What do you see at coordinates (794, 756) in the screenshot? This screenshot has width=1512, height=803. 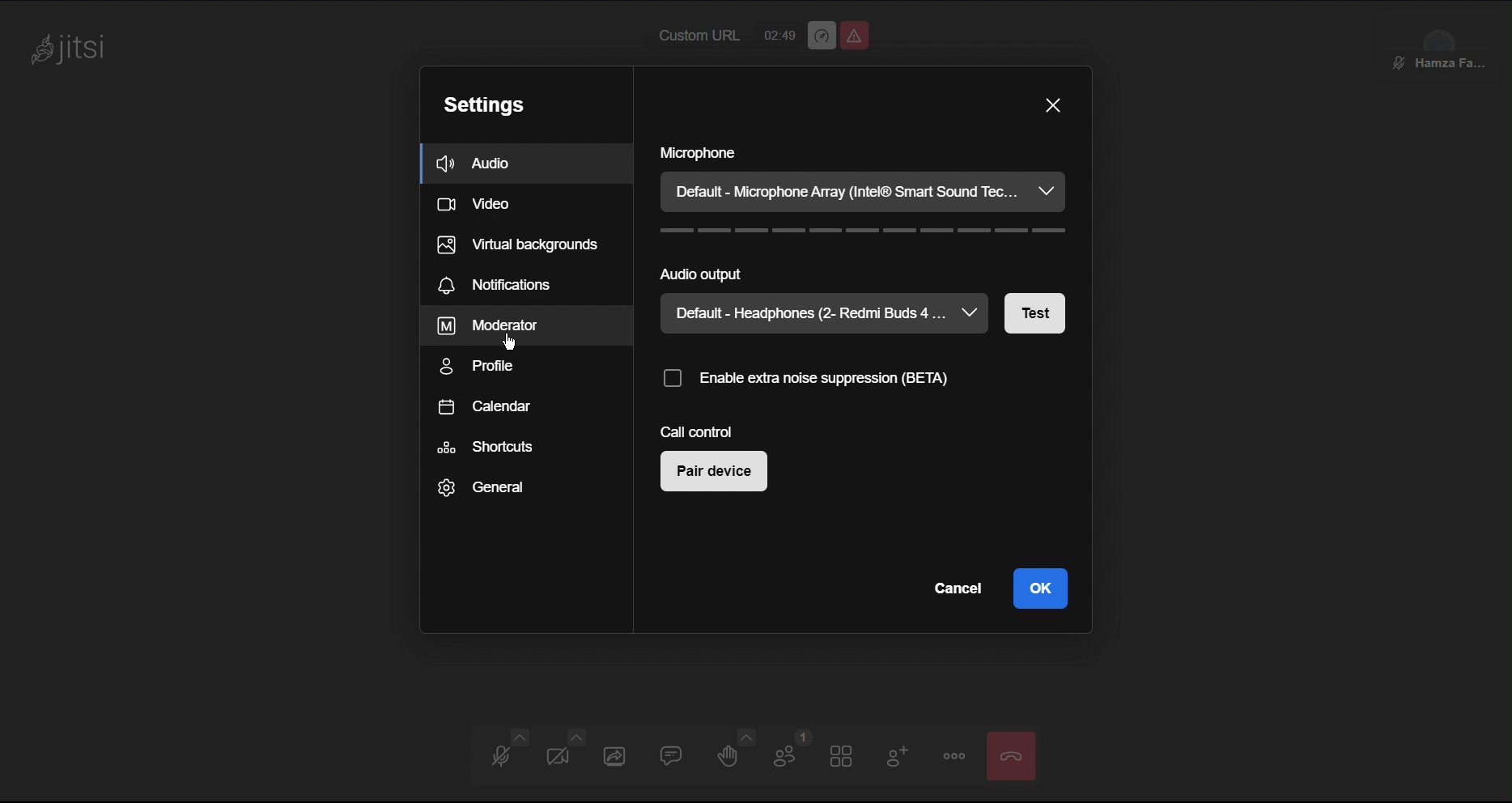 I see `Participants` at bounding box center [794, 756].